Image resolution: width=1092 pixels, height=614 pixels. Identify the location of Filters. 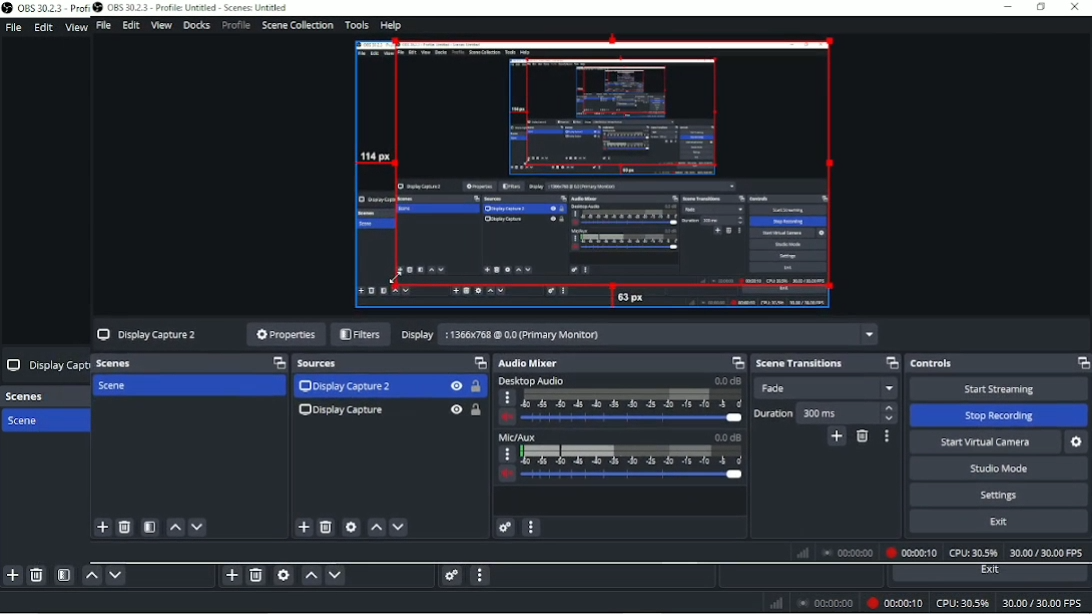
(356, 334).